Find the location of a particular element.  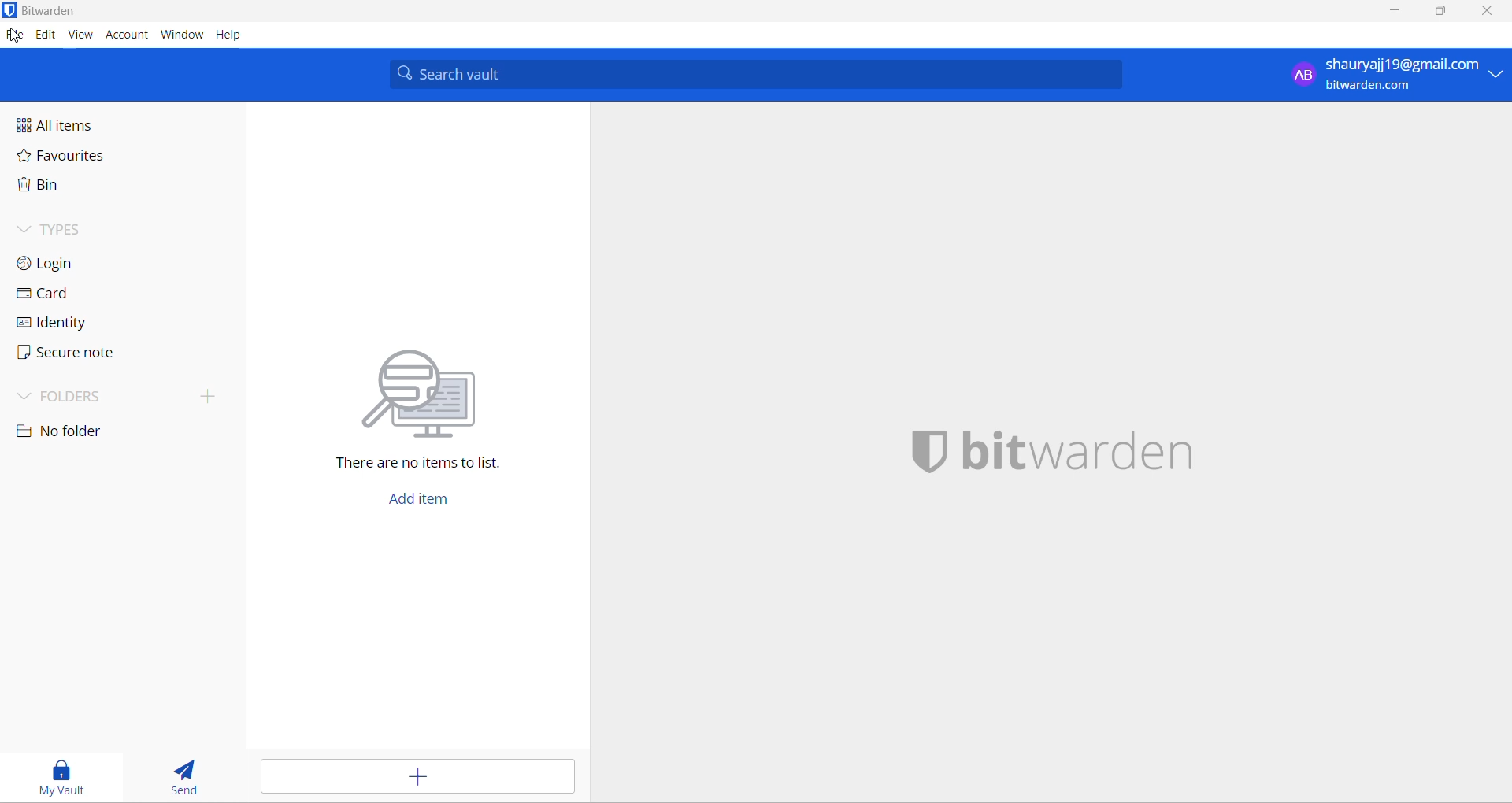

edit is located at coordinates (43, 39).